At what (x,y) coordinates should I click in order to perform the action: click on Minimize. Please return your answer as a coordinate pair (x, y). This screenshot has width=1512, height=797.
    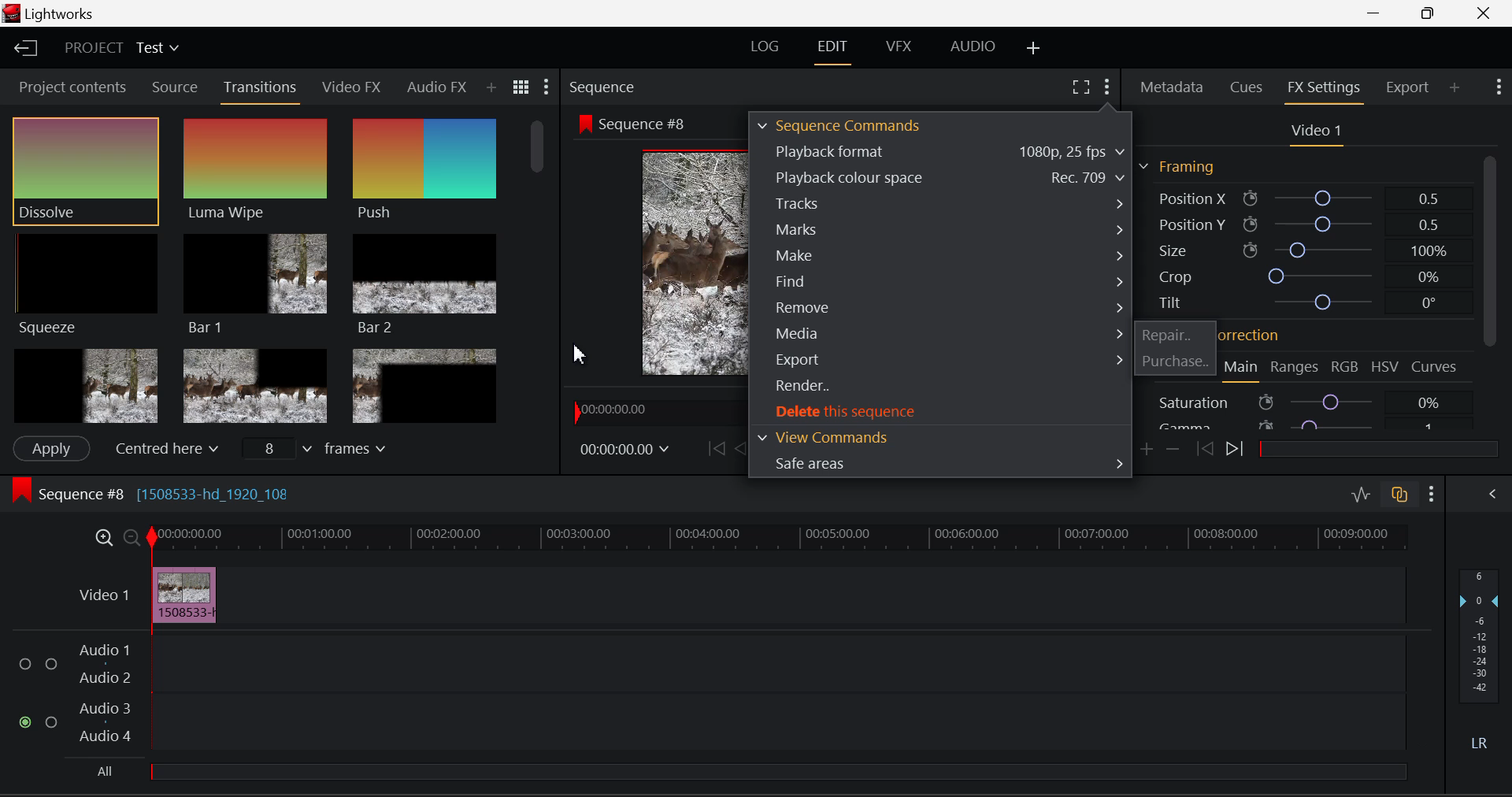
    Looking at the image, I should click on (1430, 13).